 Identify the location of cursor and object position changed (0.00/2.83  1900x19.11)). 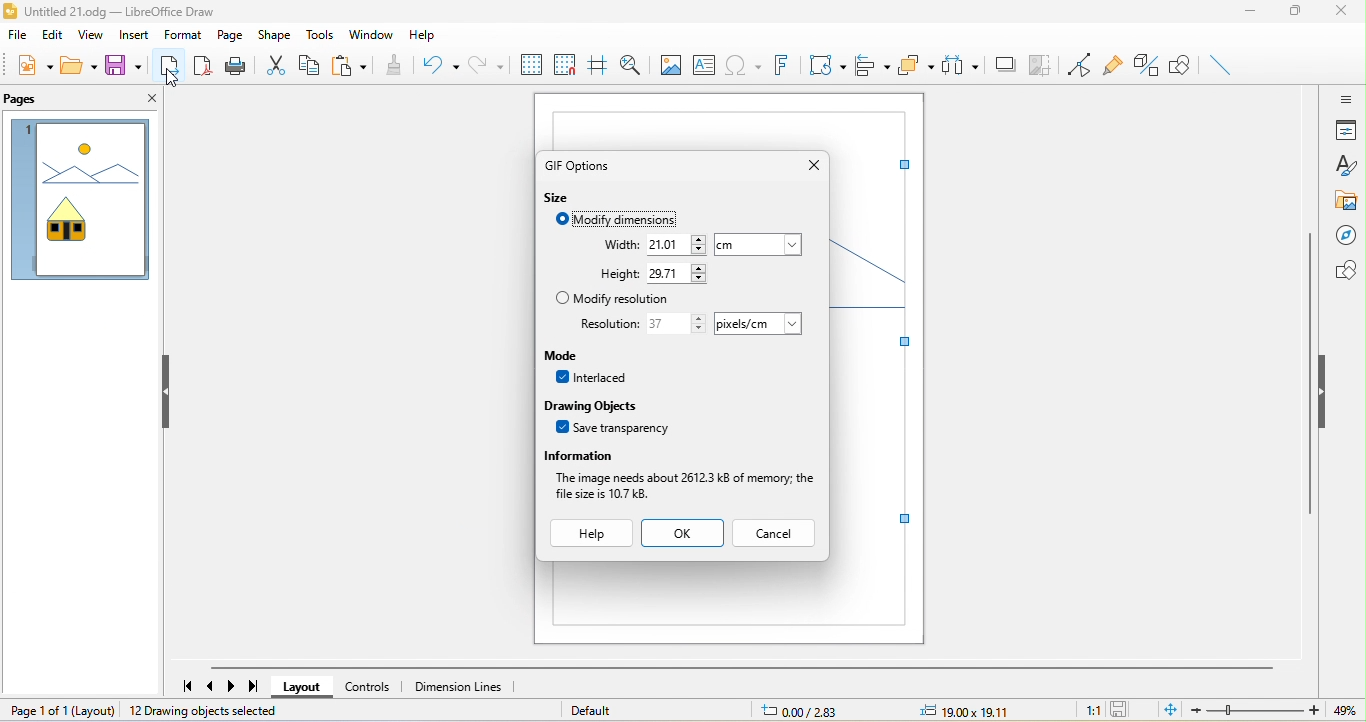
(895, 711).